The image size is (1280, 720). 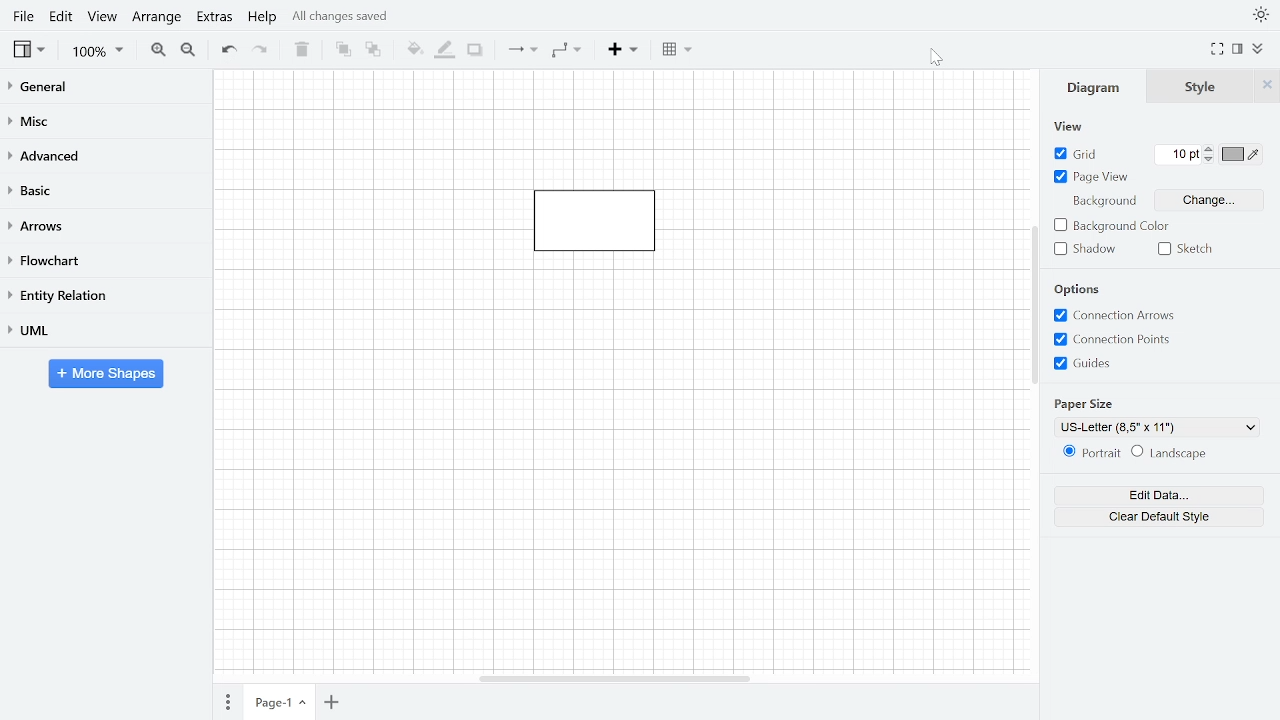 What do you see at coordinates (1079, 290) in the screenshot?
I see `Options` at bounding box center [1079, 290].